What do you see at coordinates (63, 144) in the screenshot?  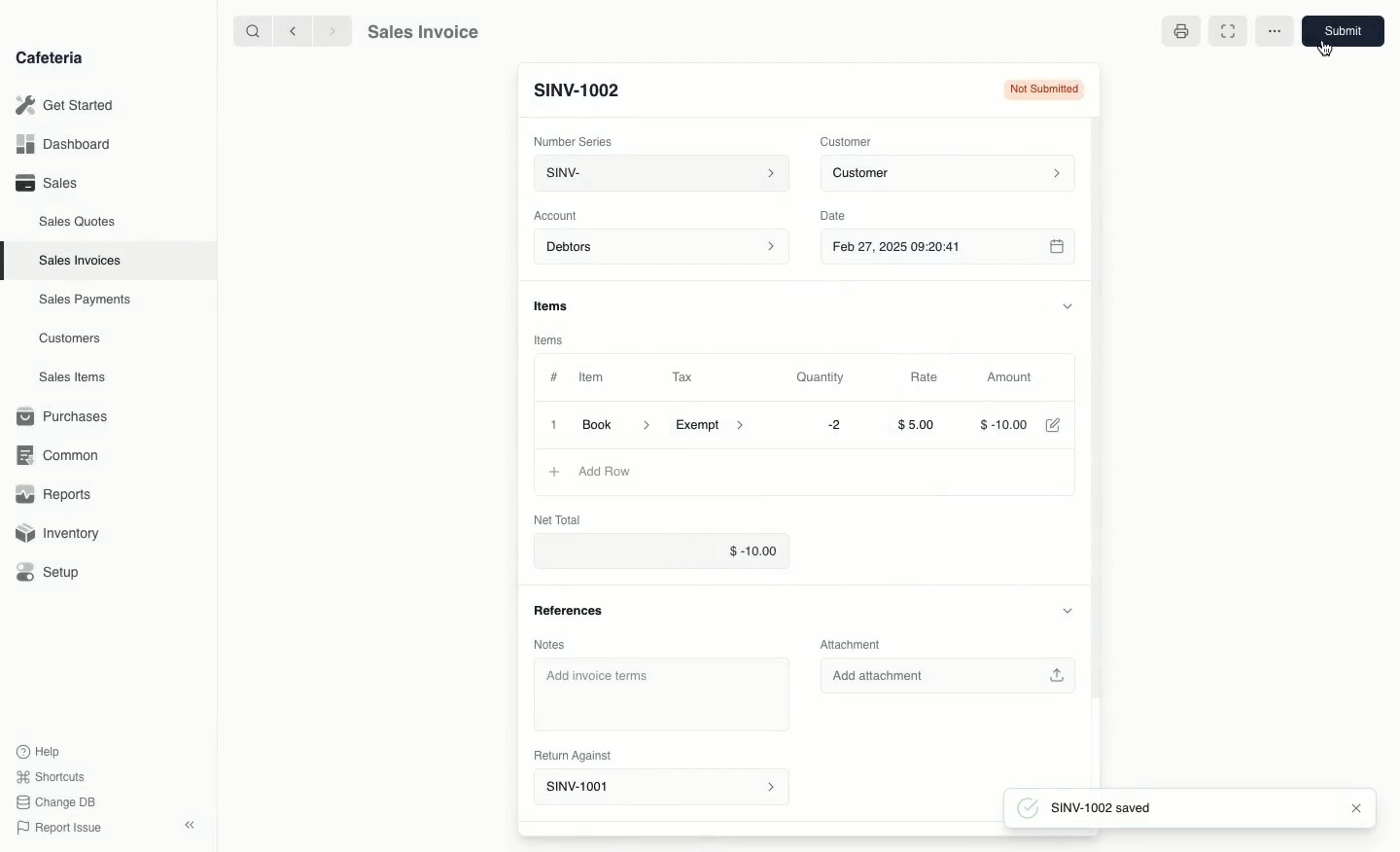 I see `Dashboard` at bounding box center [63, 144].